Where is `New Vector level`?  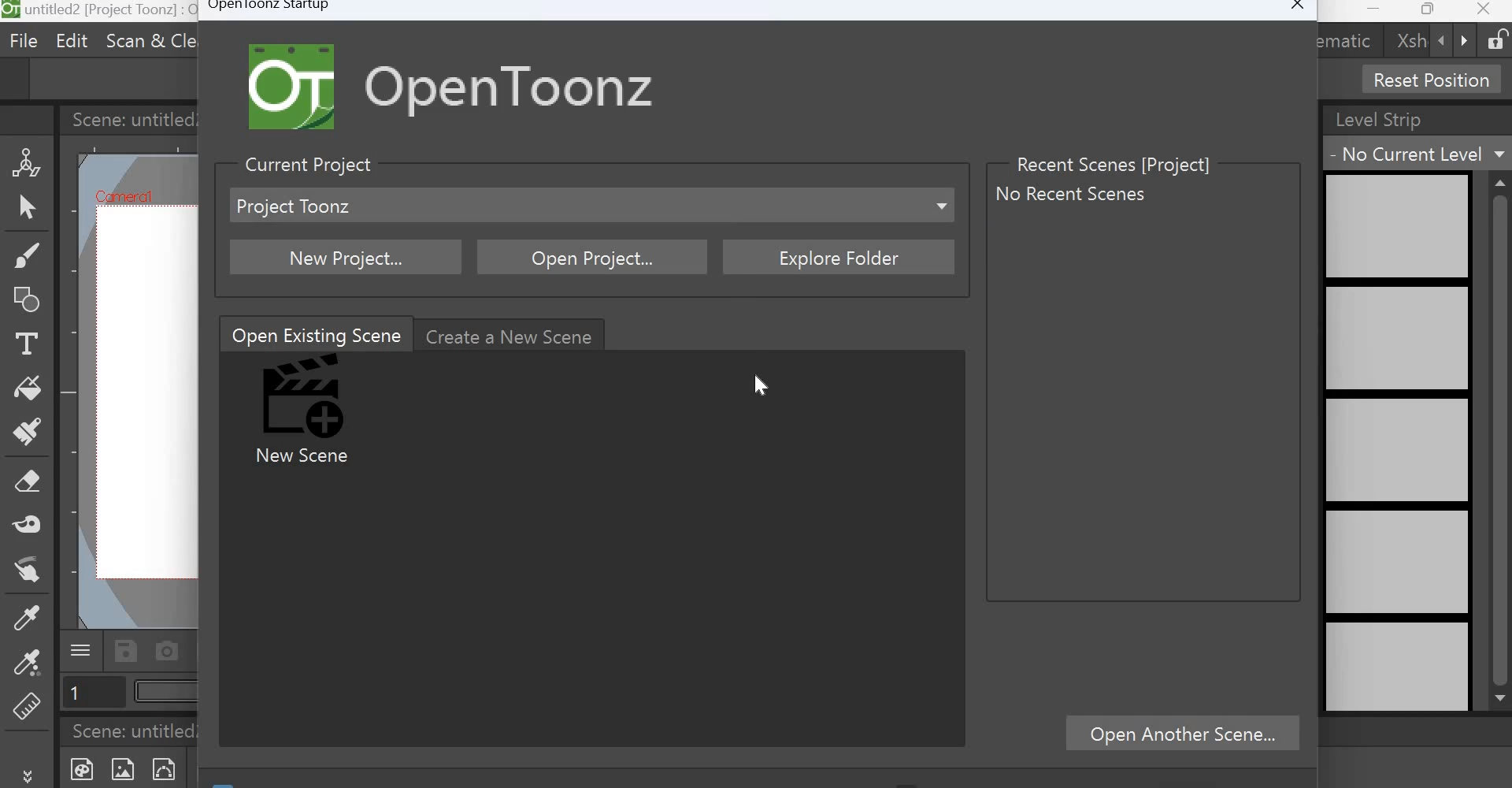
New Vector level is located at coordinates (172, 768).